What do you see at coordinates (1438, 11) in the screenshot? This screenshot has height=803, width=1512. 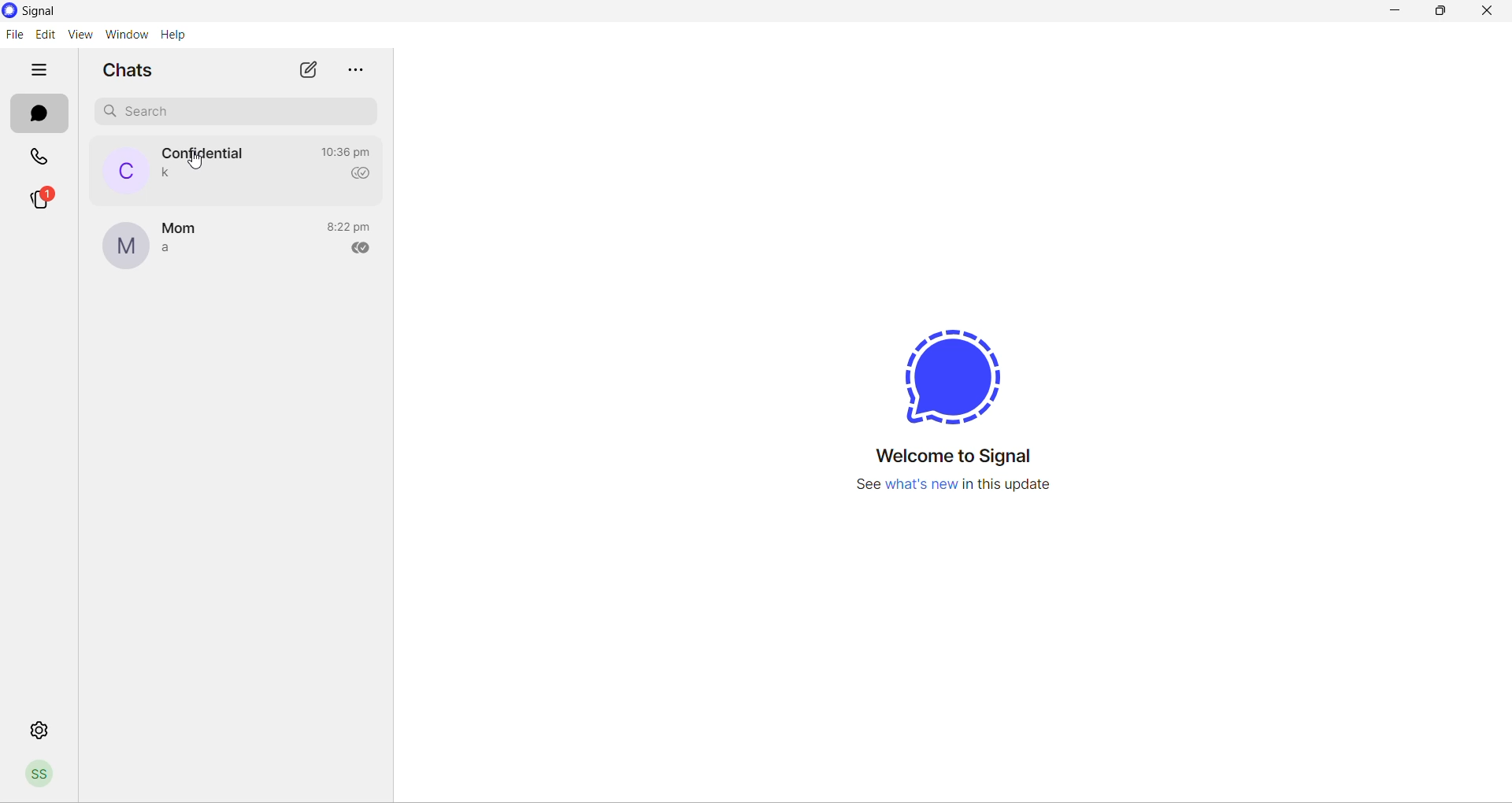 I see `maximize` at bounding box center [1438, 11].